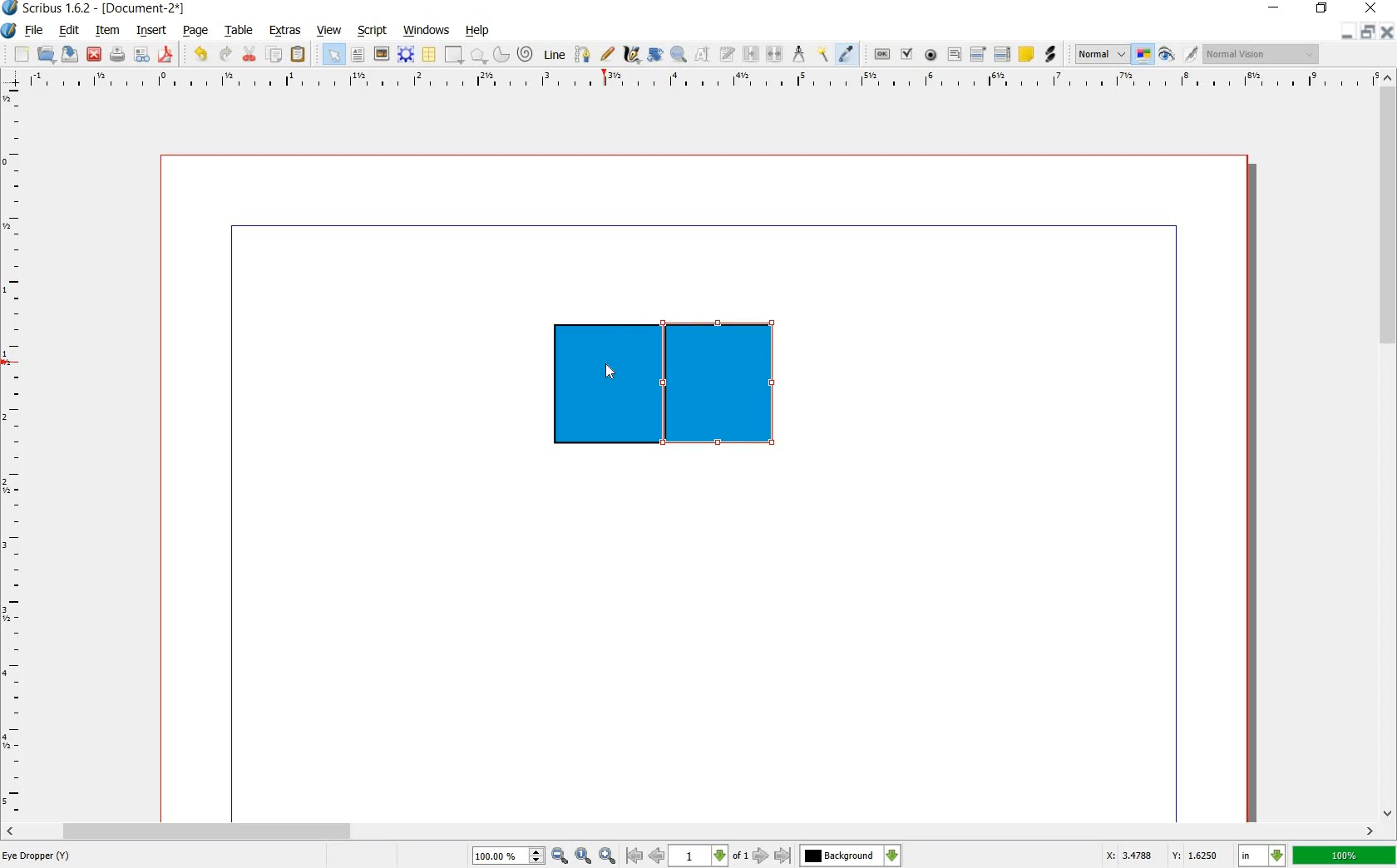 This screenshot has width=1397, height=868. What do you see at coordinates (608, 52) in the screenshot?
I see `freehand line` at bounding box center [608, 52].